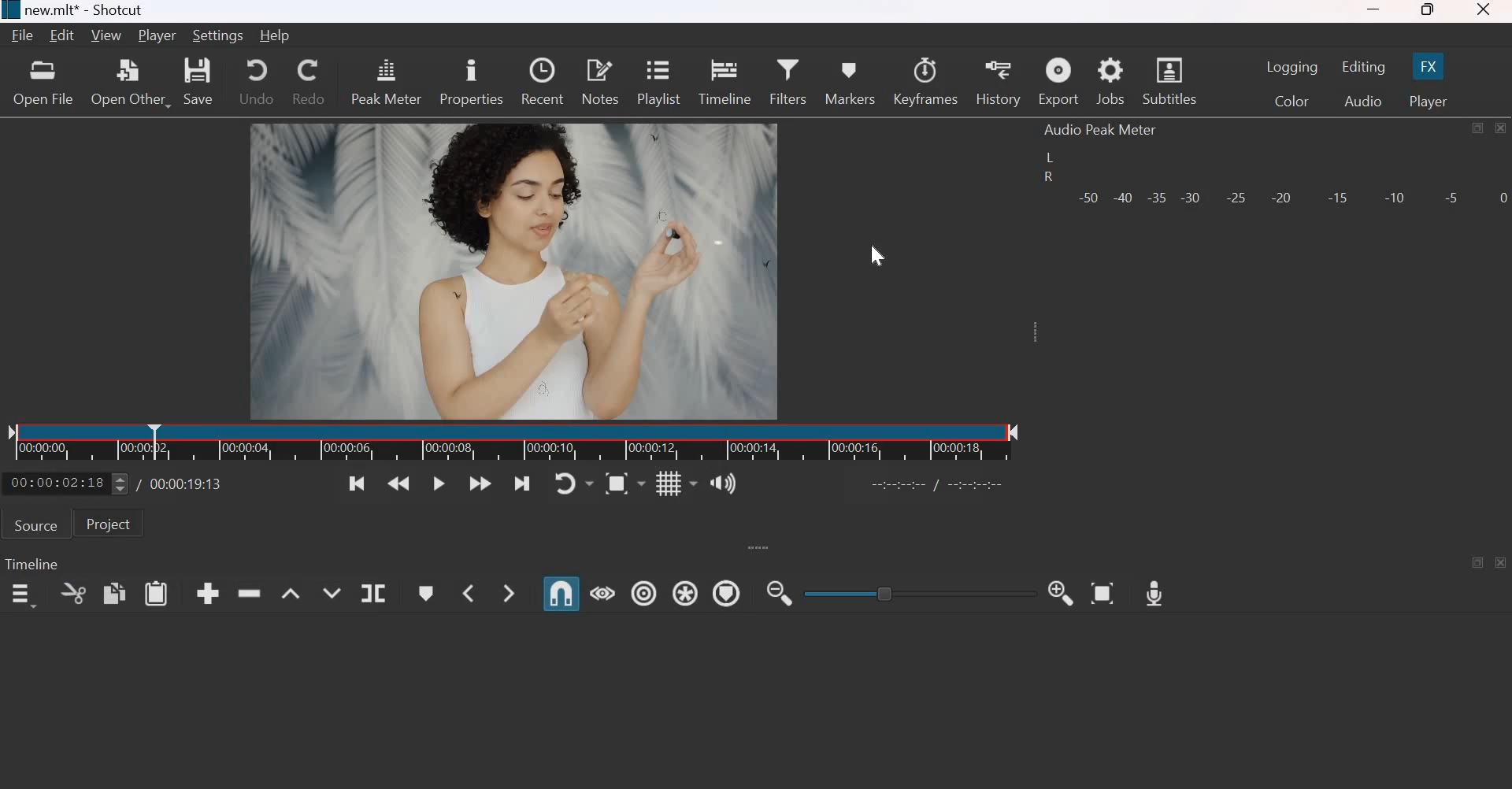 The width and height of the screenshot is (1512, 789). Describe the element at coordinates (1429, 99) in the screenshot. I see `Player` at that location.